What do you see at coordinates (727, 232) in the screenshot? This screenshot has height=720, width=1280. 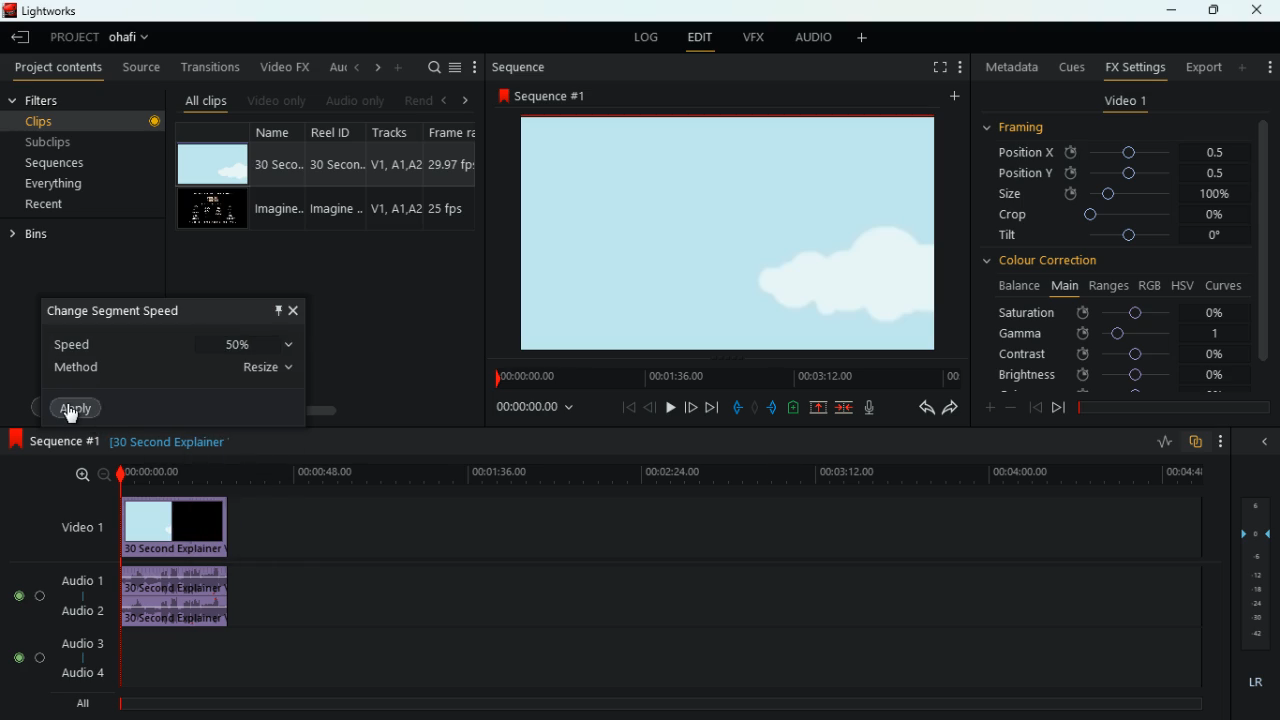 I see `image` at bounding box center [727, 232].